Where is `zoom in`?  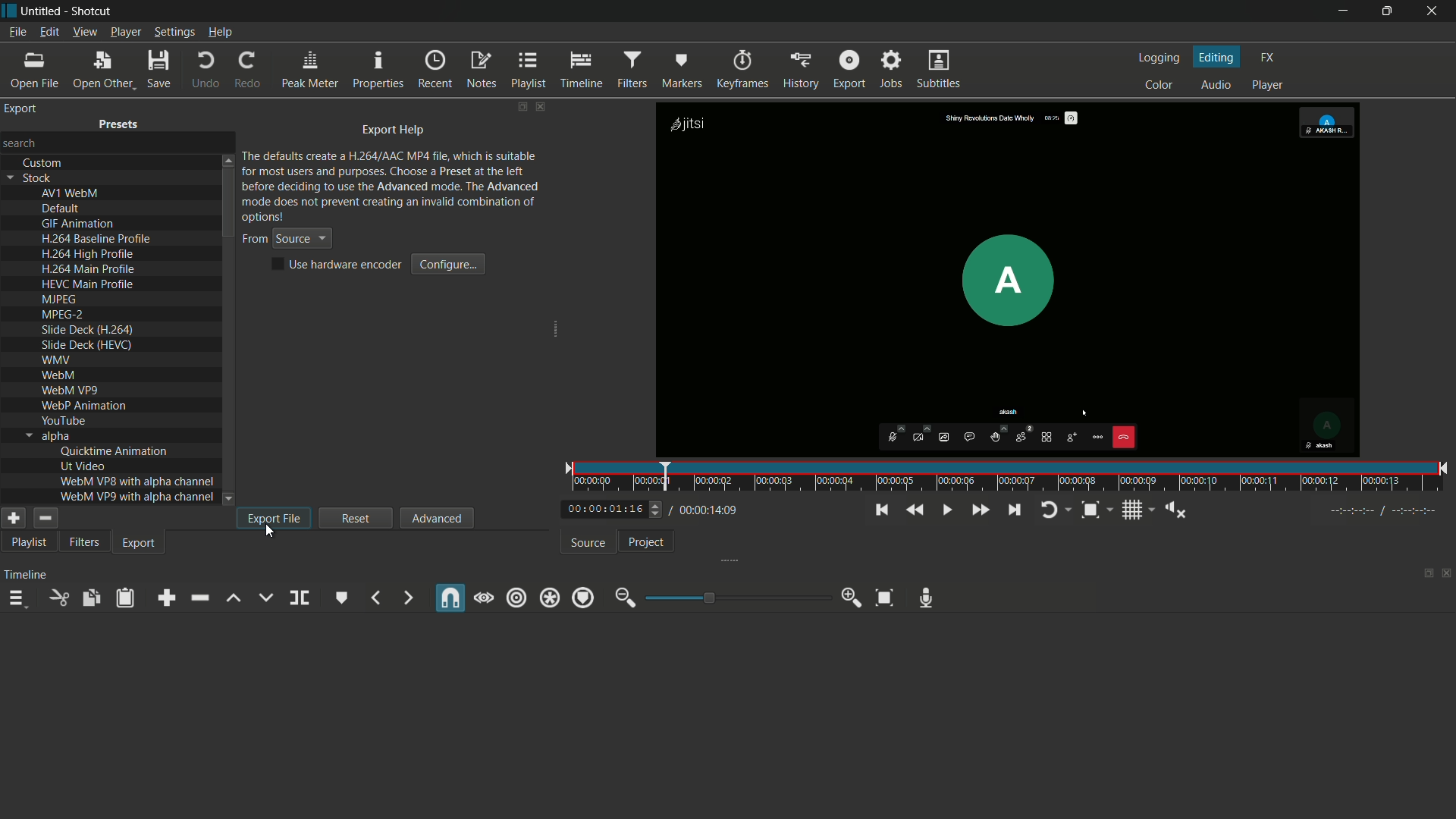 zoom in is located at coordinates (853, 598).